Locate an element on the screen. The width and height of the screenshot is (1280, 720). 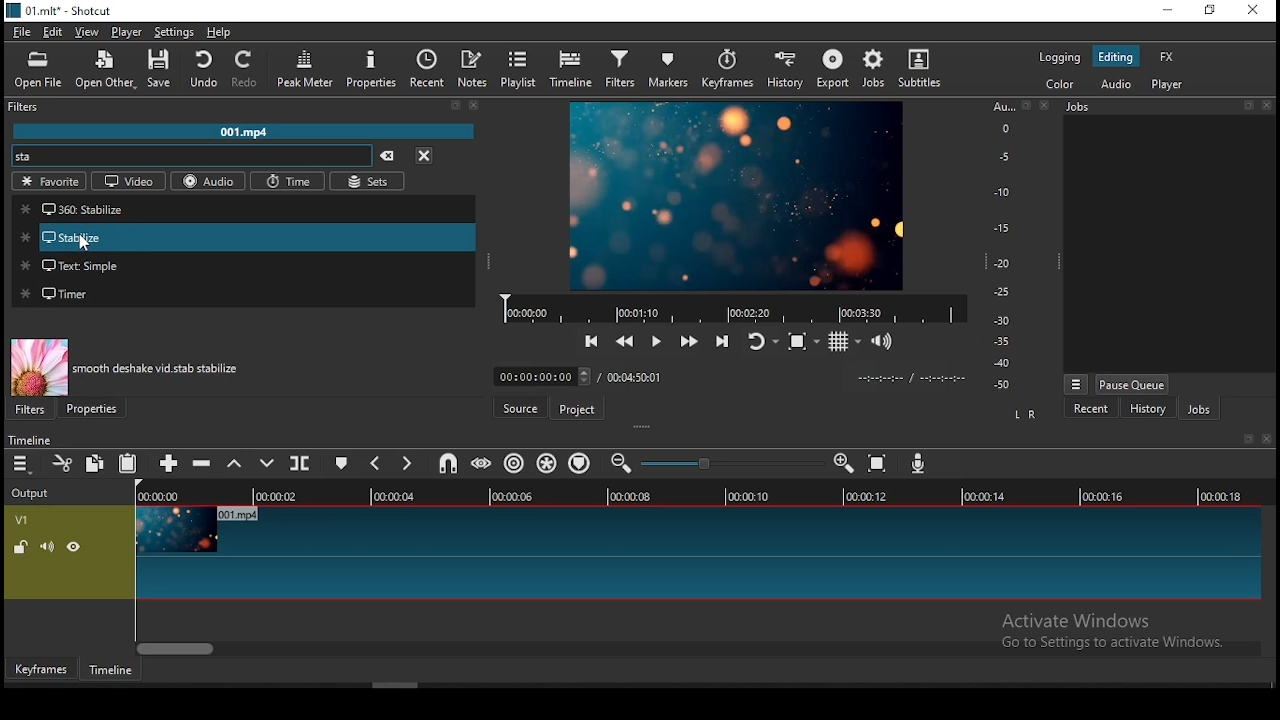
close is located at coordinates (1267, 439).